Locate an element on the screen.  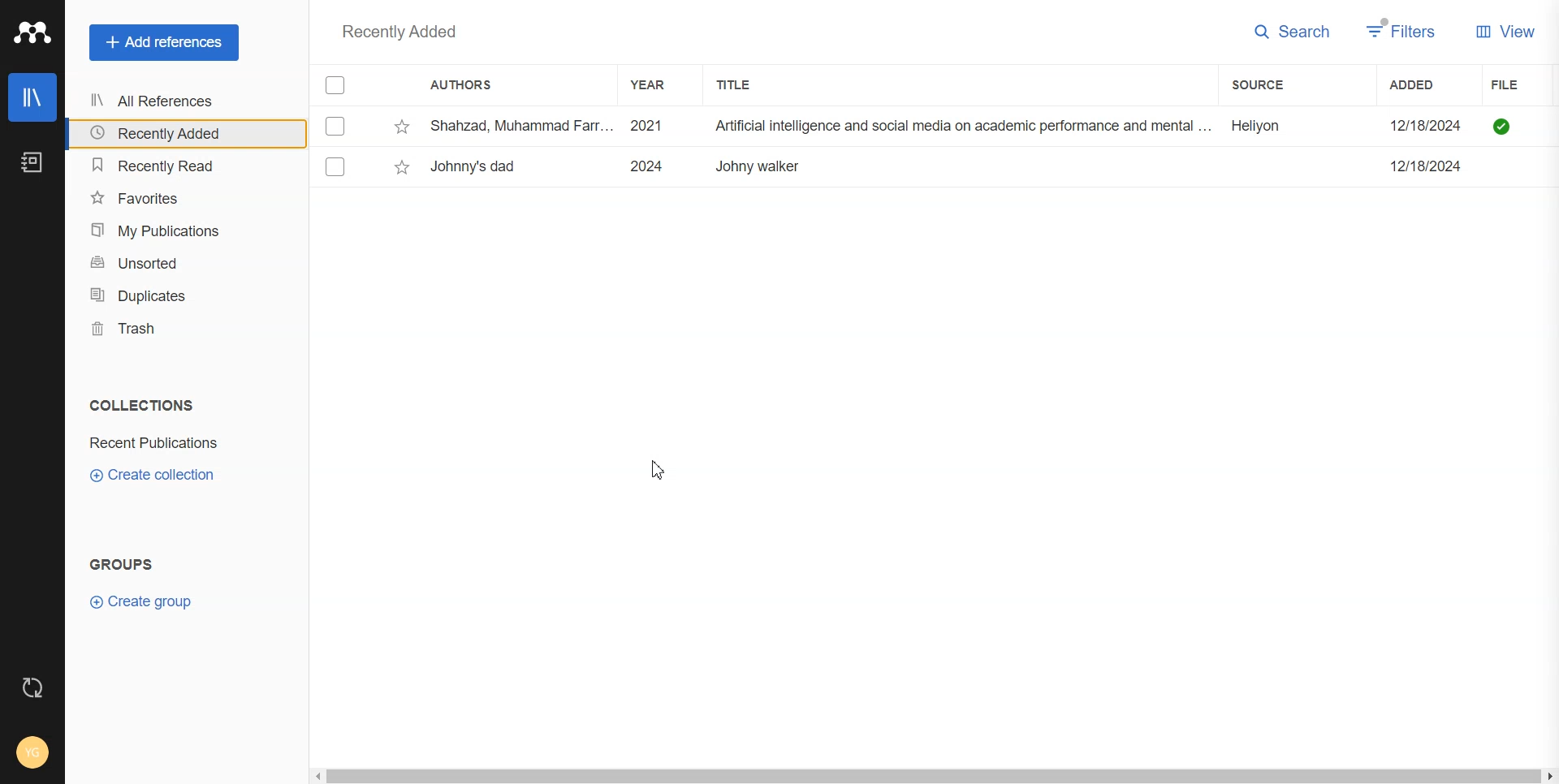
star is located at coordinates (402, 167).